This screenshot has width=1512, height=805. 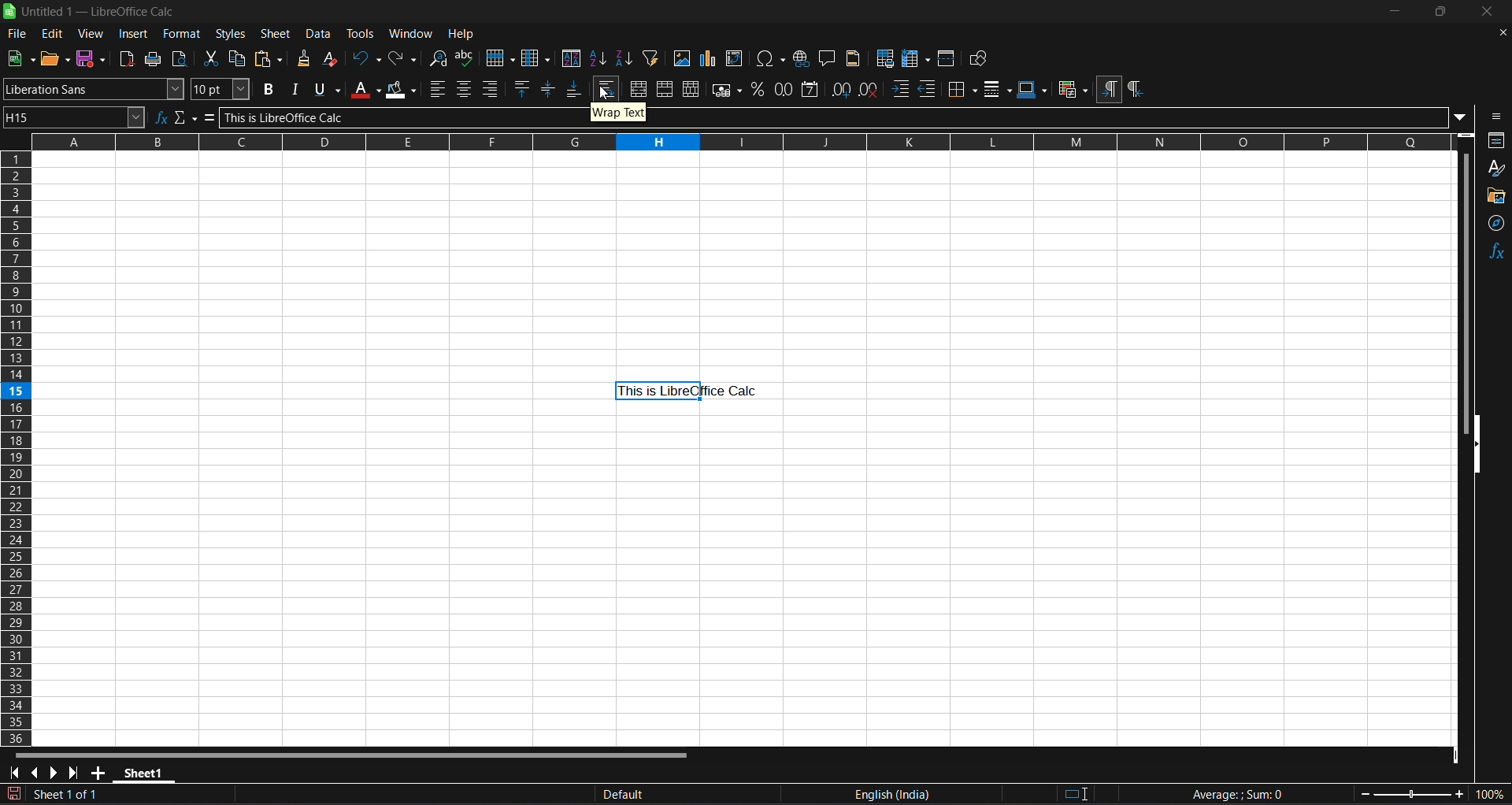 What do you see at coordinates (1498, 139) in the screenshot?
I see `properties` at bounding box center [1498, 139].